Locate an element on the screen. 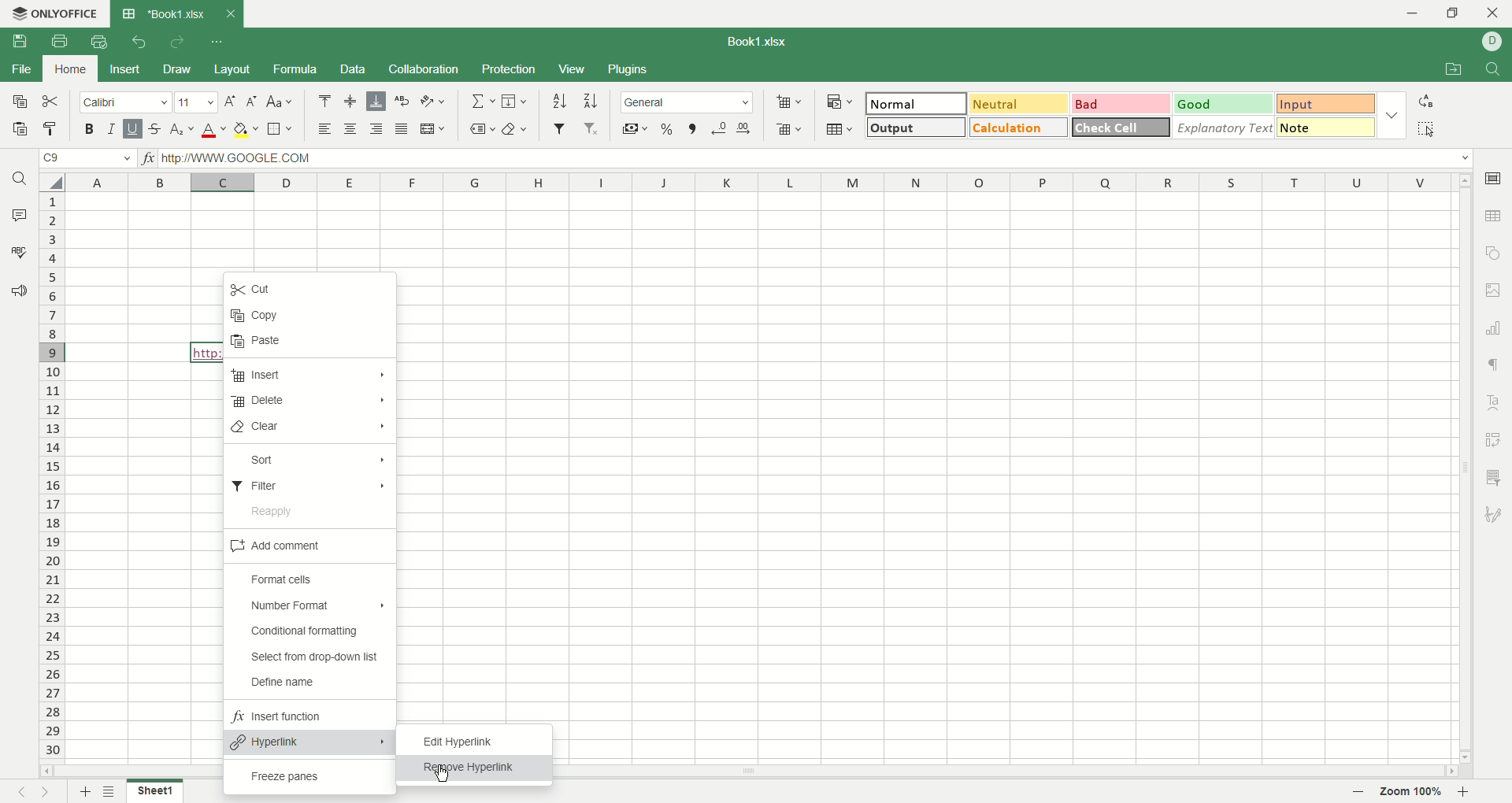 The height and width of the screenshot is (803, 1512). next is located at coordinates (48, 792).